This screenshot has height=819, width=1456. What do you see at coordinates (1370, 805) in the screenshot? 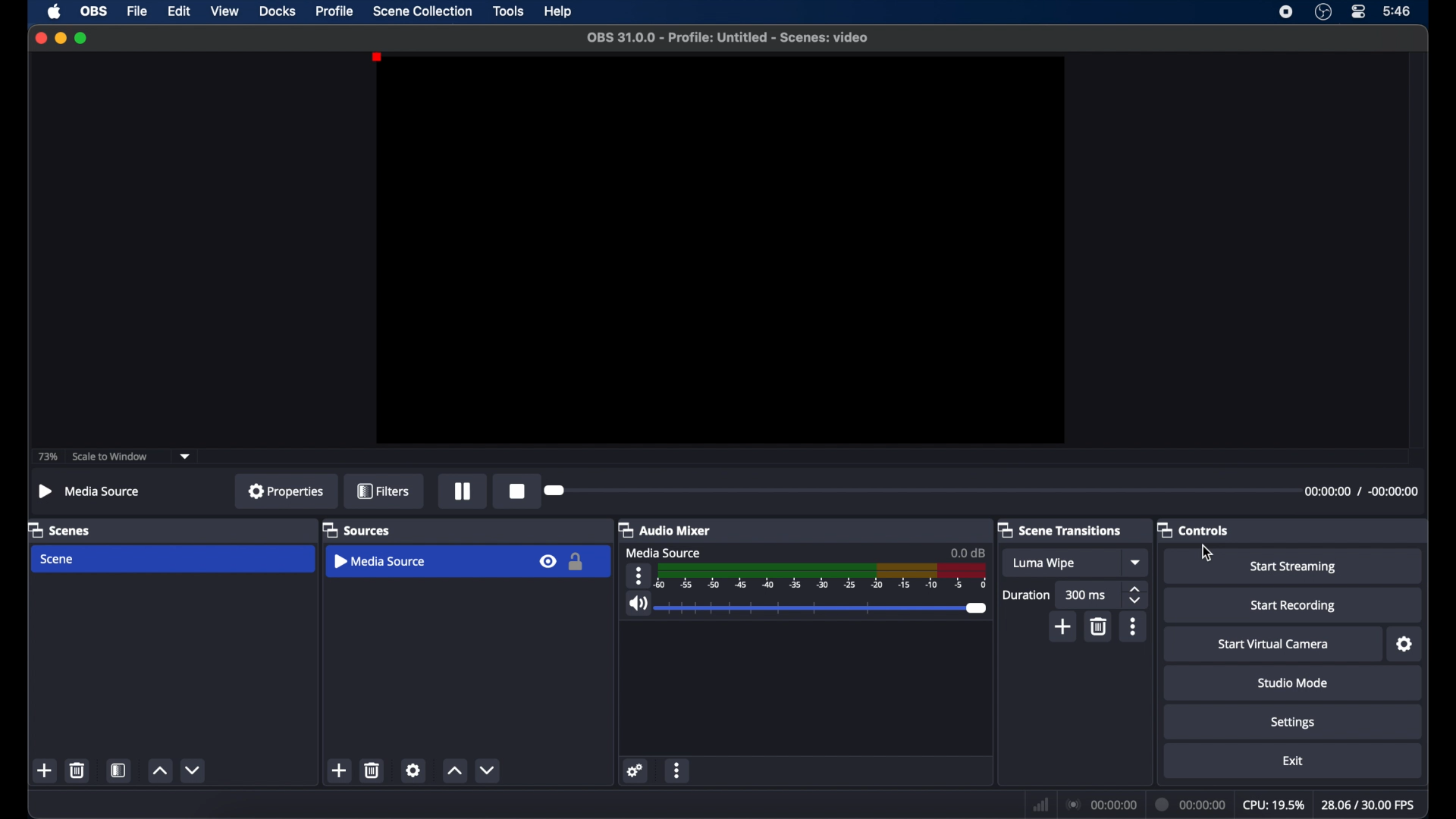
I see `fps` at bounding box center [1370, 805].